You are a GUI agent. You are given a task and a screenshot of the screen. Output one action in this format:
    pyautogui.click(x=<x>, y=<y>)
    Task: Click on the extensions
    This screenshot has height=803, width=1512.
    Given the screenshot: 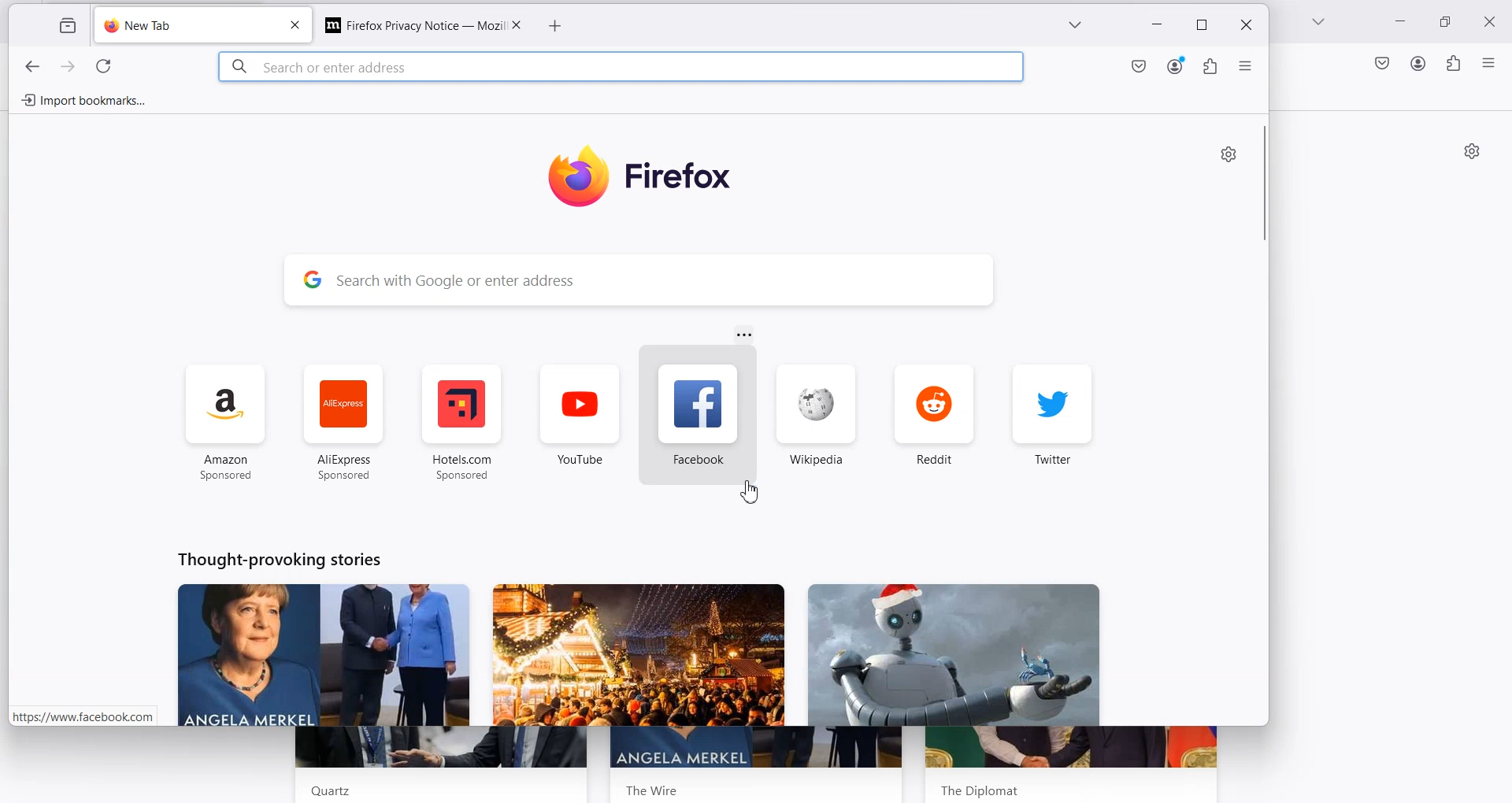 What is the action you would take?
    pyautogui.click(x=1208, y=69)
    